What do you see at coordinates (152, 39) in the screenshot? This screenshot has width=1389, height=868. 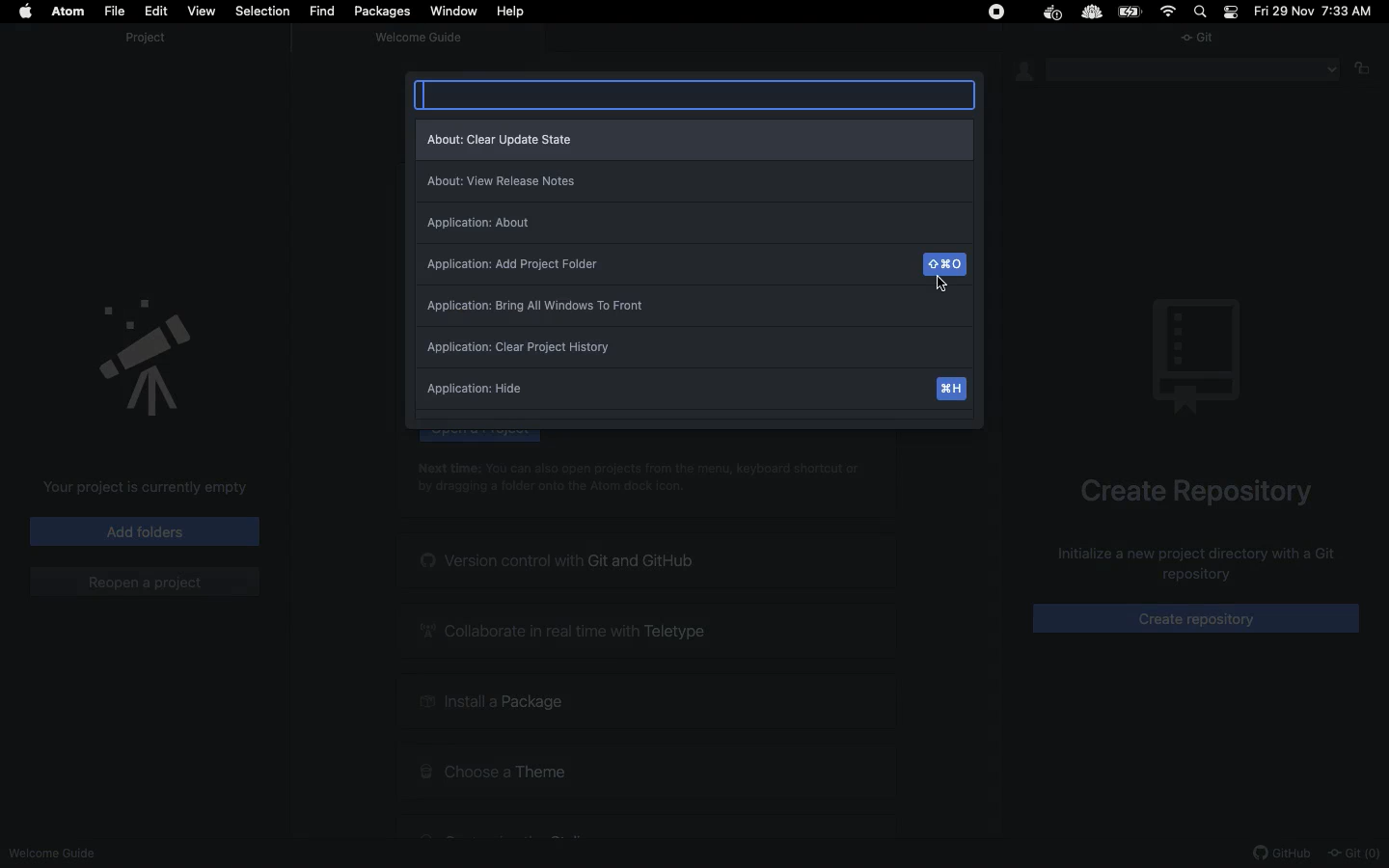 I see `Project` at bounding box center [152, 39].